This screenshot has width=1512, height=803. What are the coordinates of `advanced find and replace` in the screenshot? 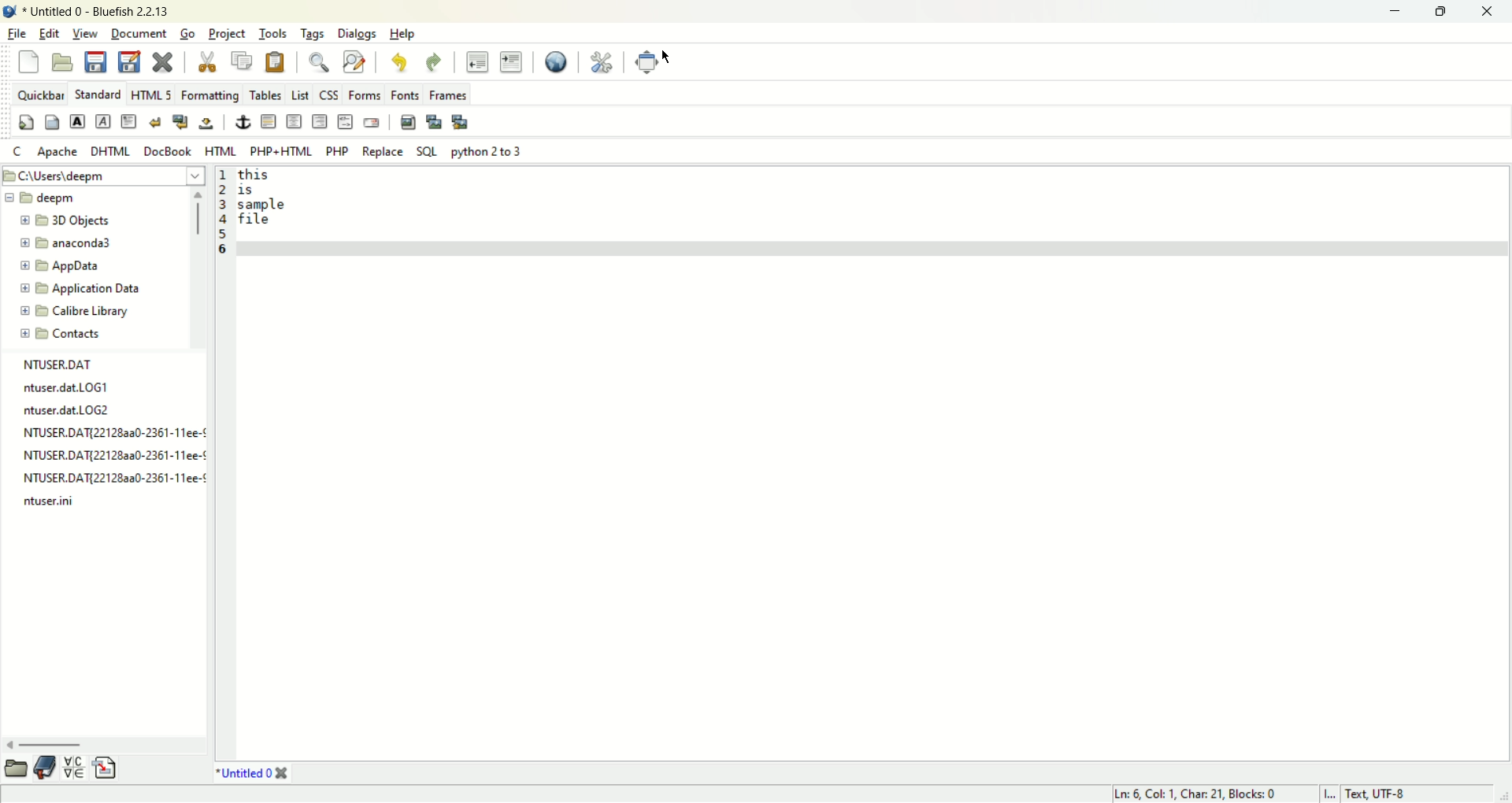 It's located at (354, 61).